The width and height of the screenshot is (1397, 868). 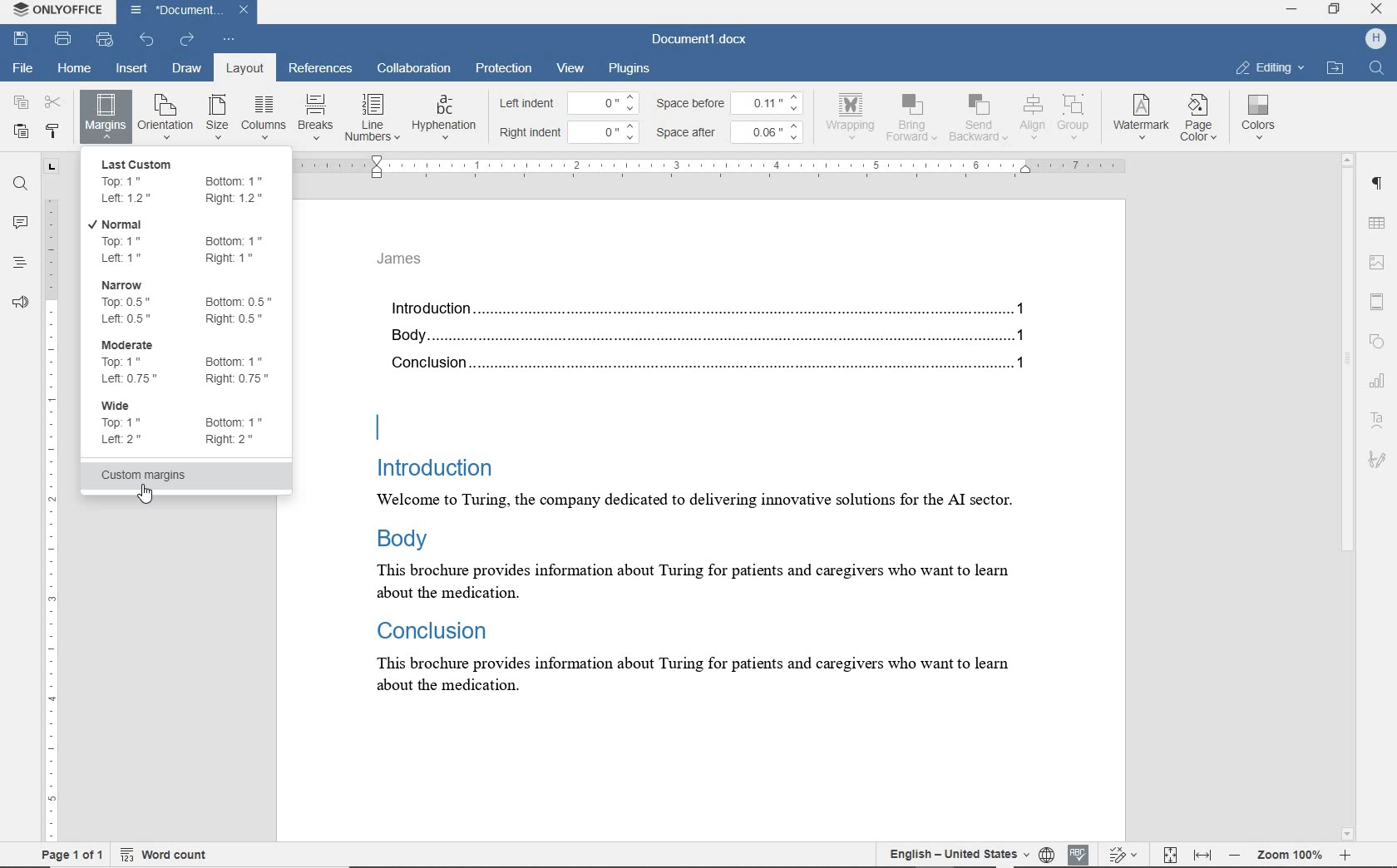 What do you see at coordinates (1270, 67) in the screenshot?
I see `EDITING` at bounding box center [1270, 67].